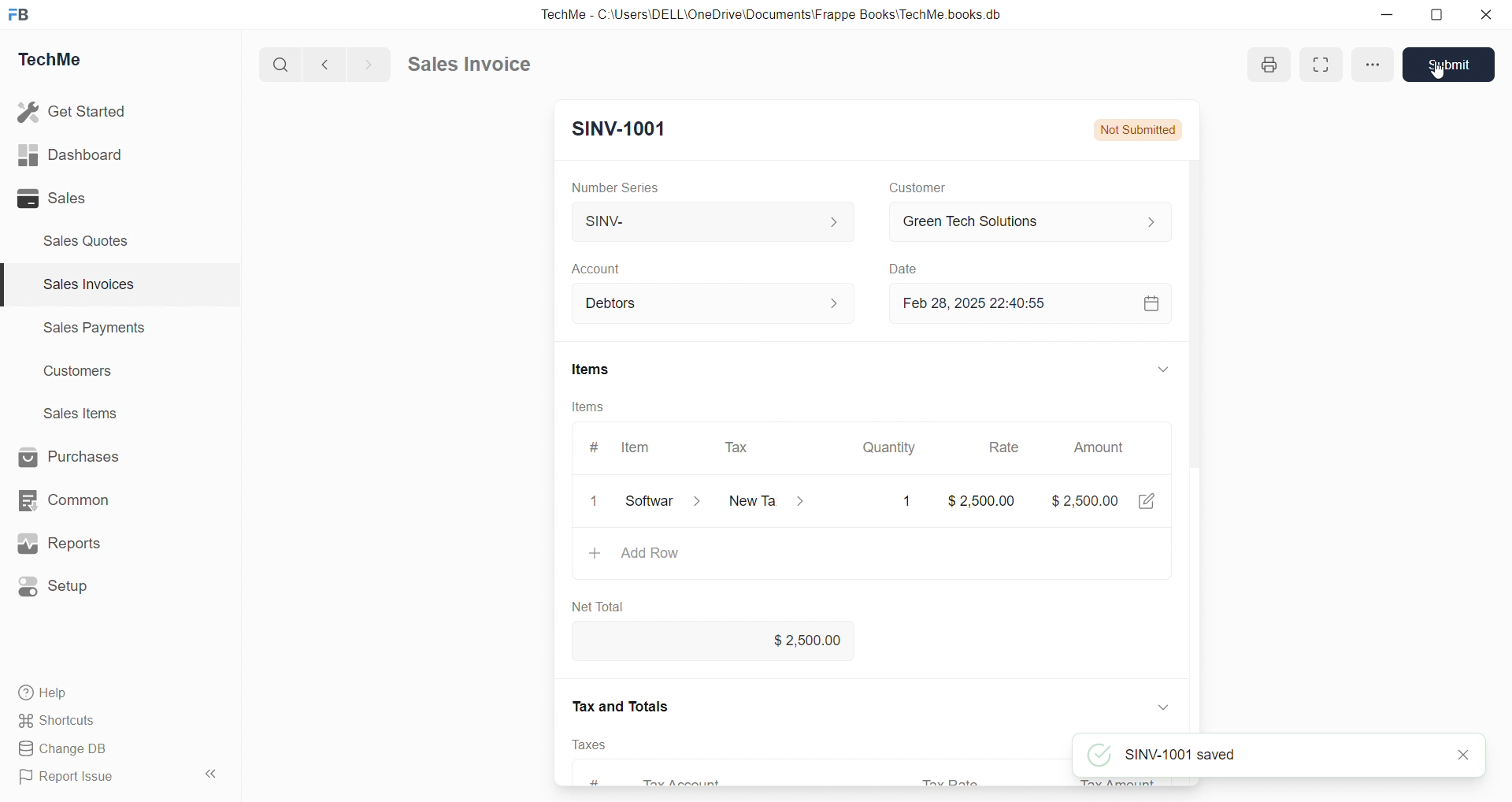 This screenshot has width=1512, height=802. I want to click on Report Issue, so click(71, 774).